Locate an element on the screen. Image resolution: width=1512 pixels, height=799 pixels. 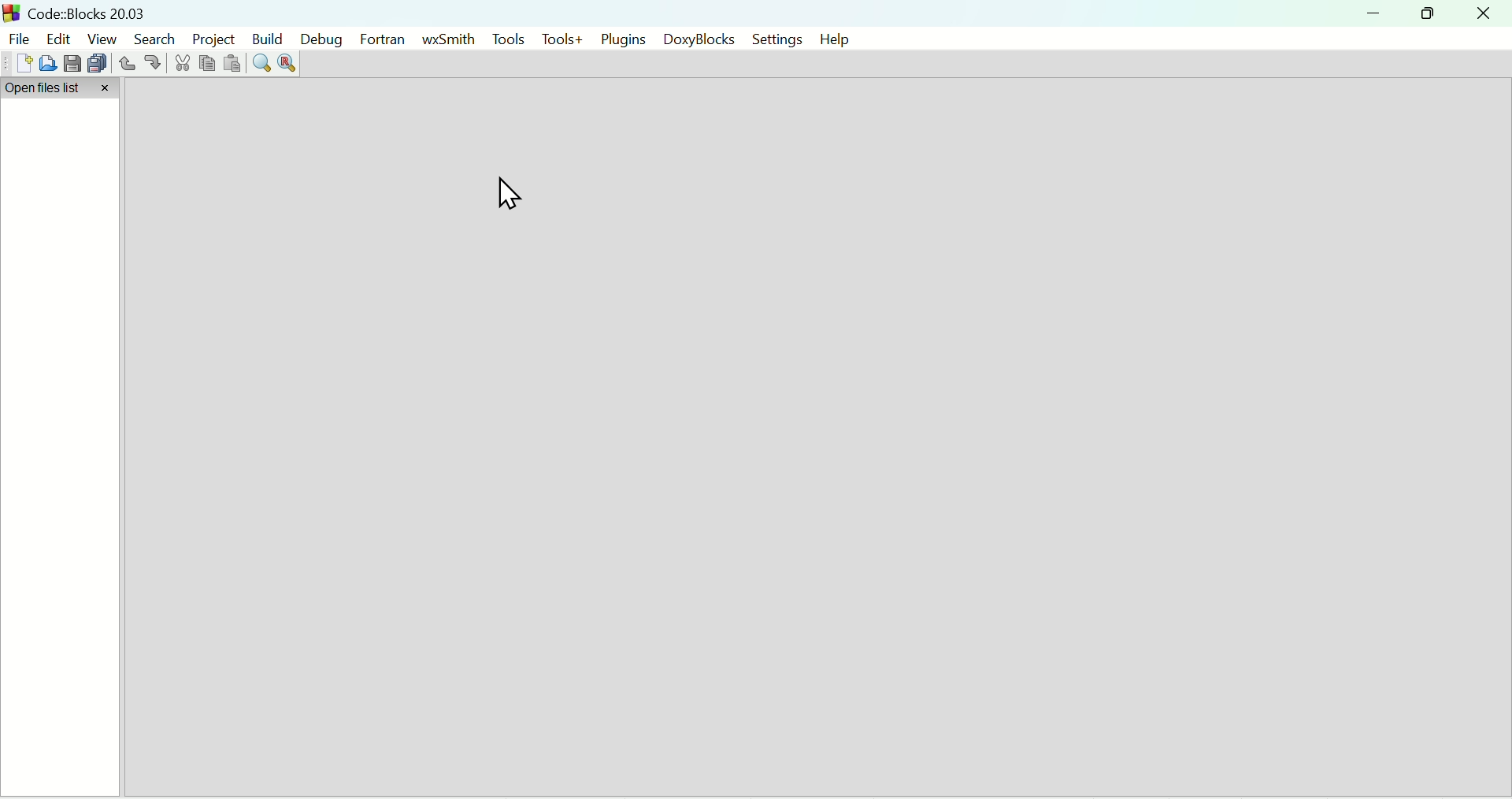
Code Blocks Desktop icon is located at coordinates (13, 12).